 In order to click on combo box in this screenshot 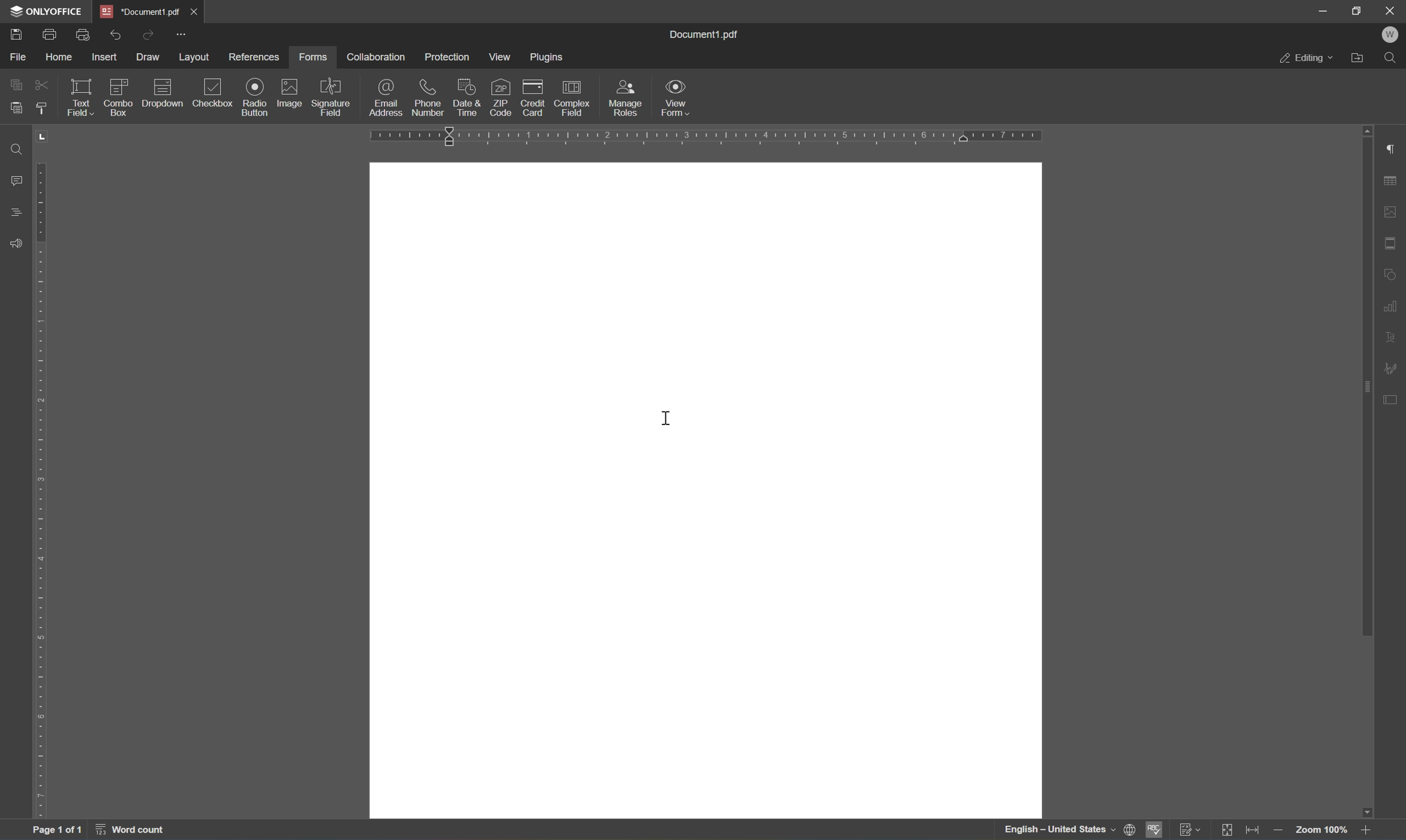, I will do `click(119, 98)`.